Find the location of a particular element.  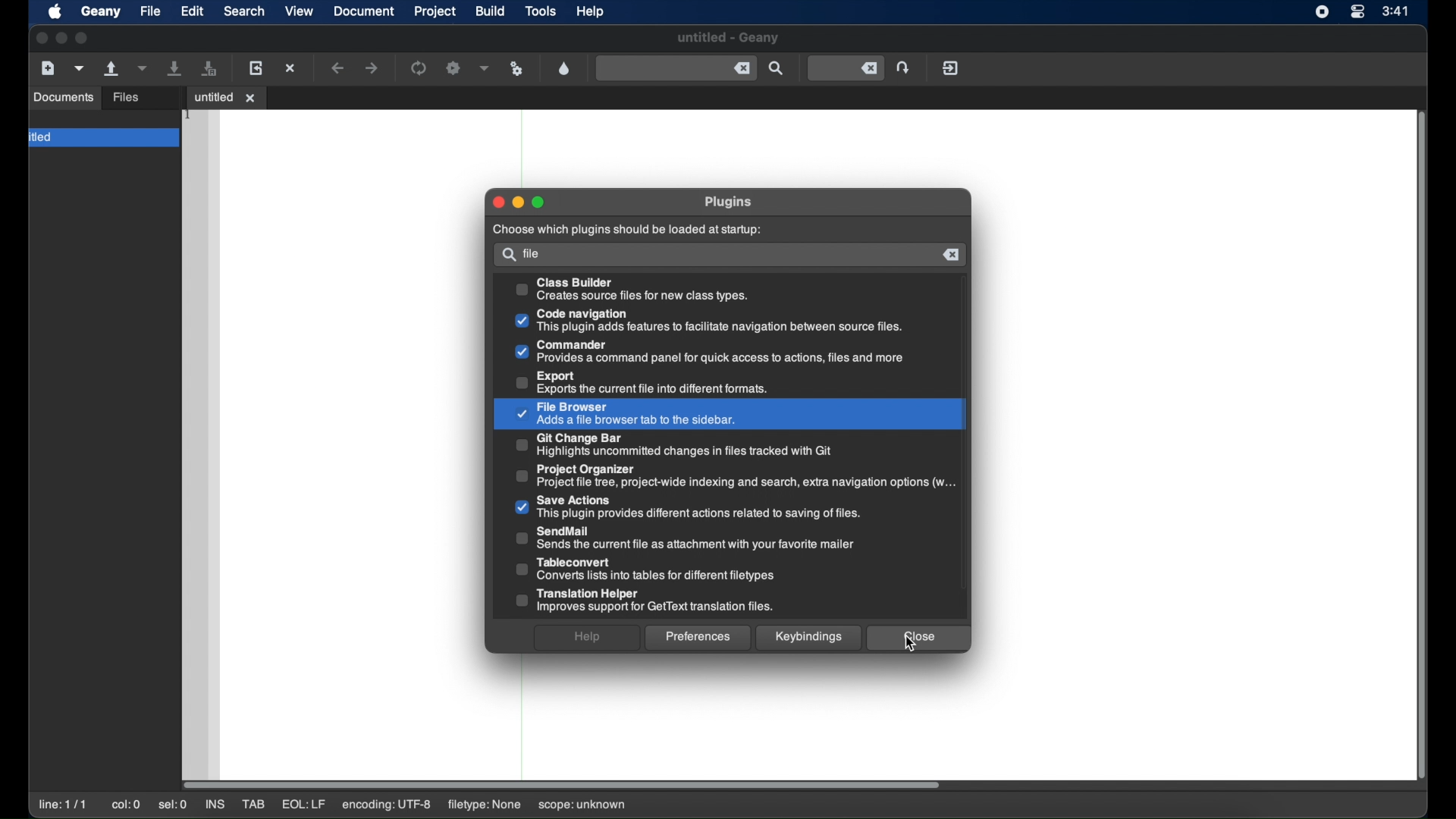

 is located at coordinates (540, 202).